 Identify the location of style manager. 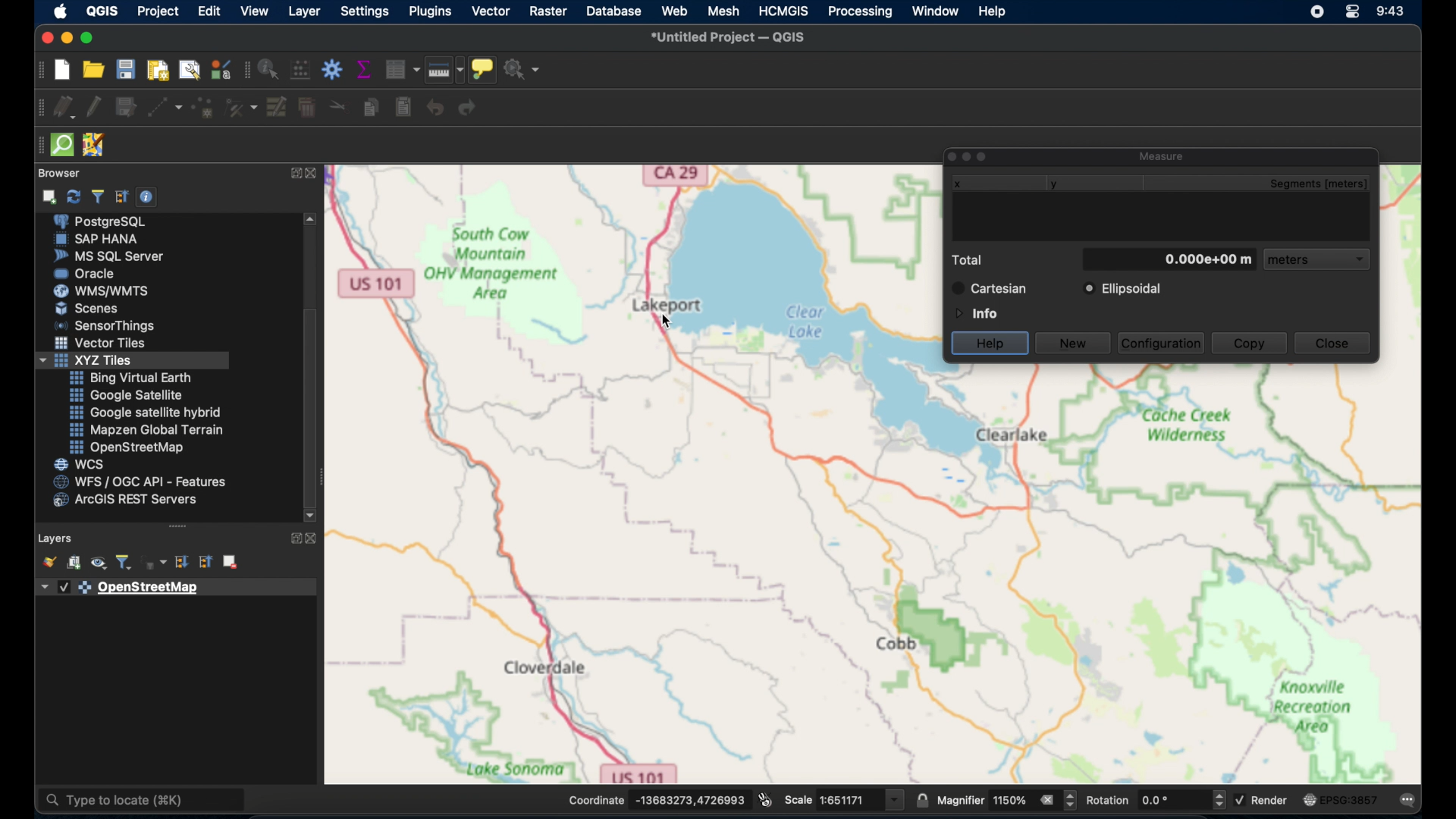
(242, 108).